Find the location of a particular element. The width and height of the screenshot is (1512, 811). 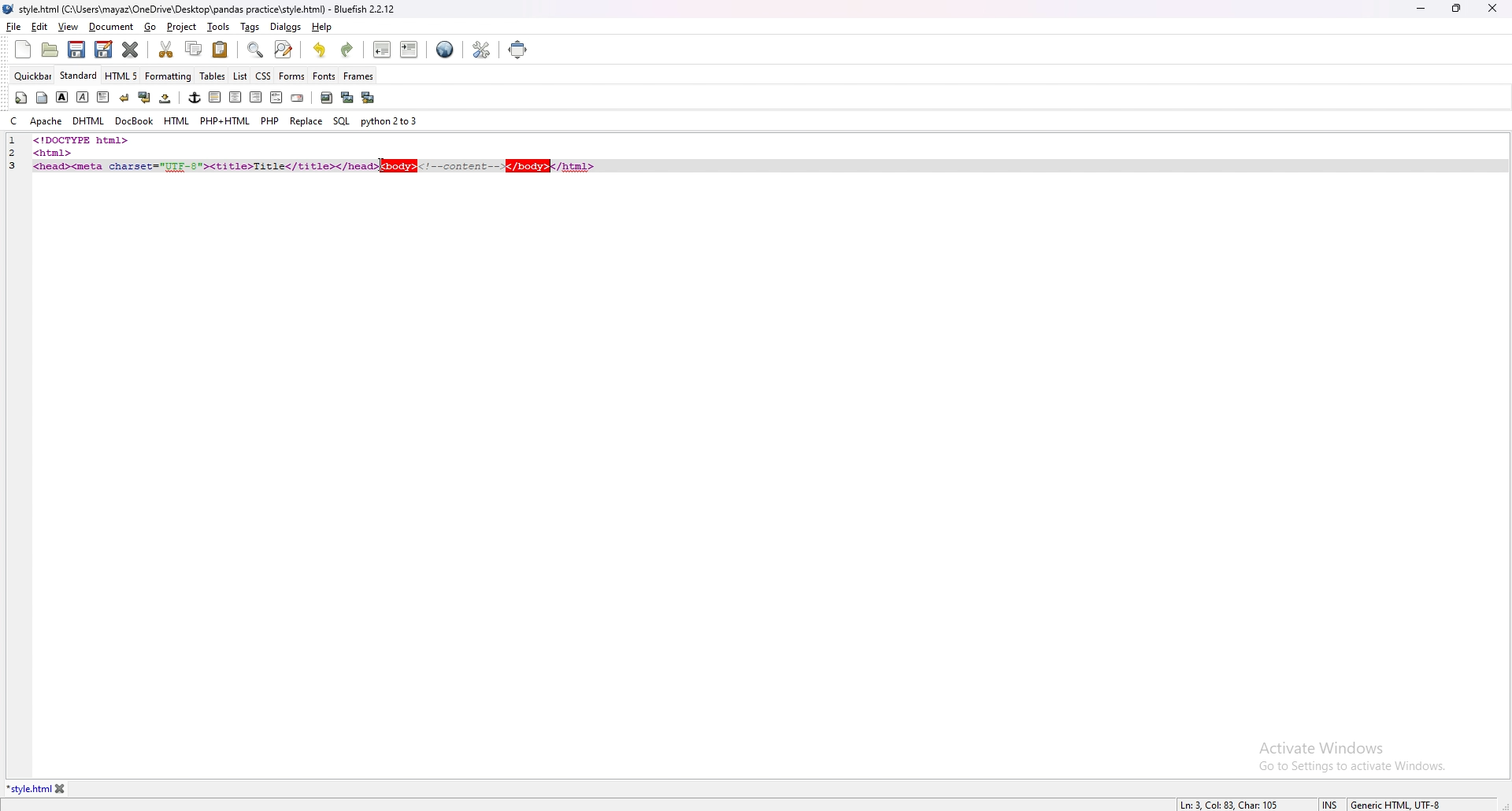

undo is located at coordinates (321, 50).